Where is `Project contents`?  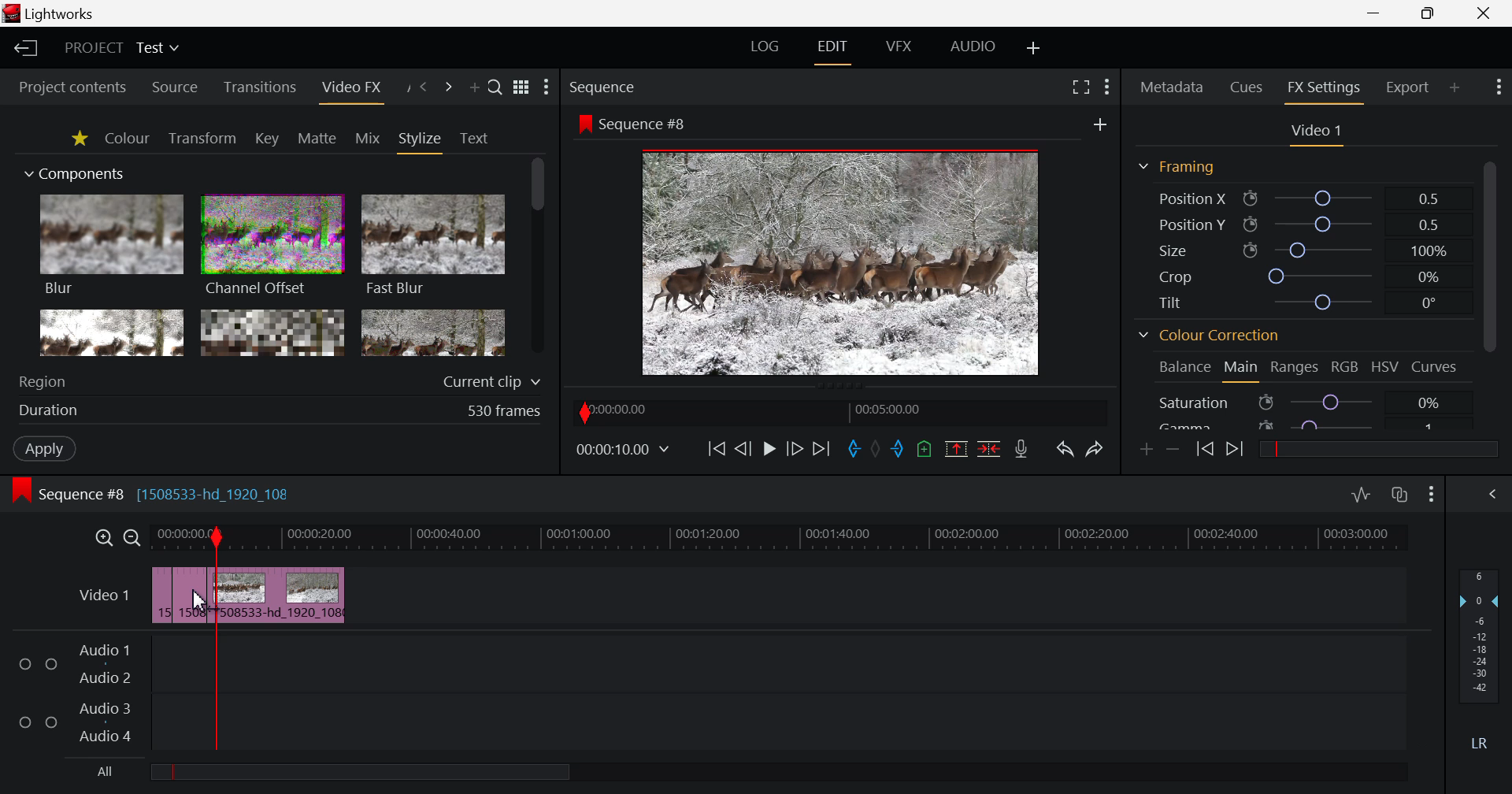 Project contents is located at coordinates (72, 85).